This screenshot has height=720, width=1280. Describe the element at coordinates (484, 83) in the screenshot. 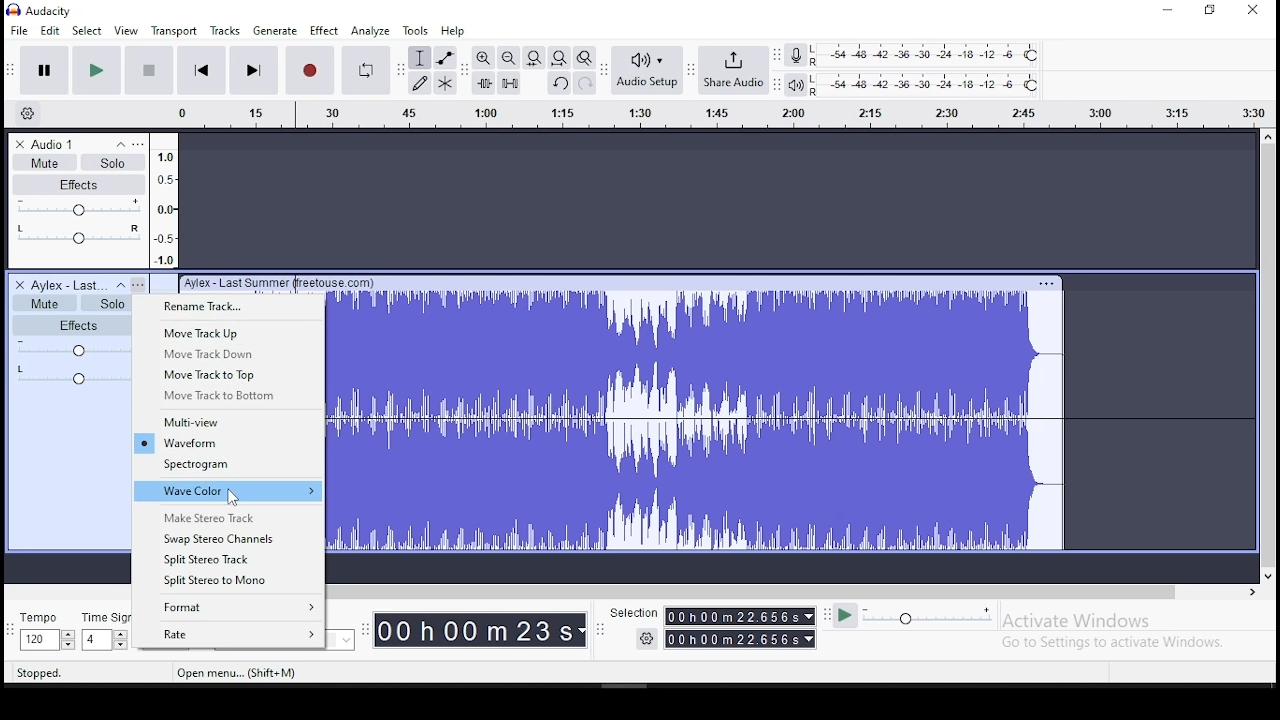

I see `trim audio outside selection` at that location.